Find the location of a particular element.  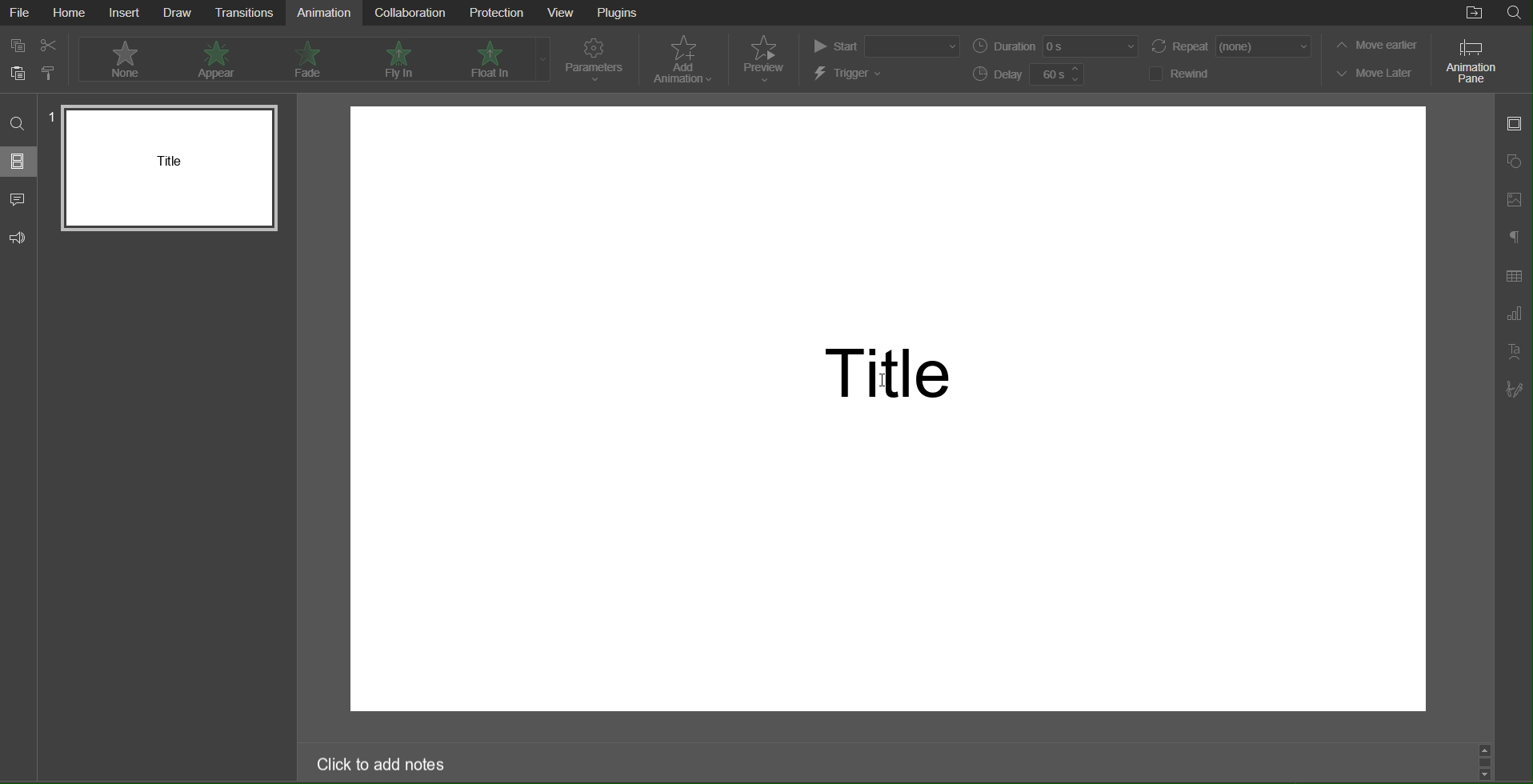

Fade is located at coordinates (309, 58).